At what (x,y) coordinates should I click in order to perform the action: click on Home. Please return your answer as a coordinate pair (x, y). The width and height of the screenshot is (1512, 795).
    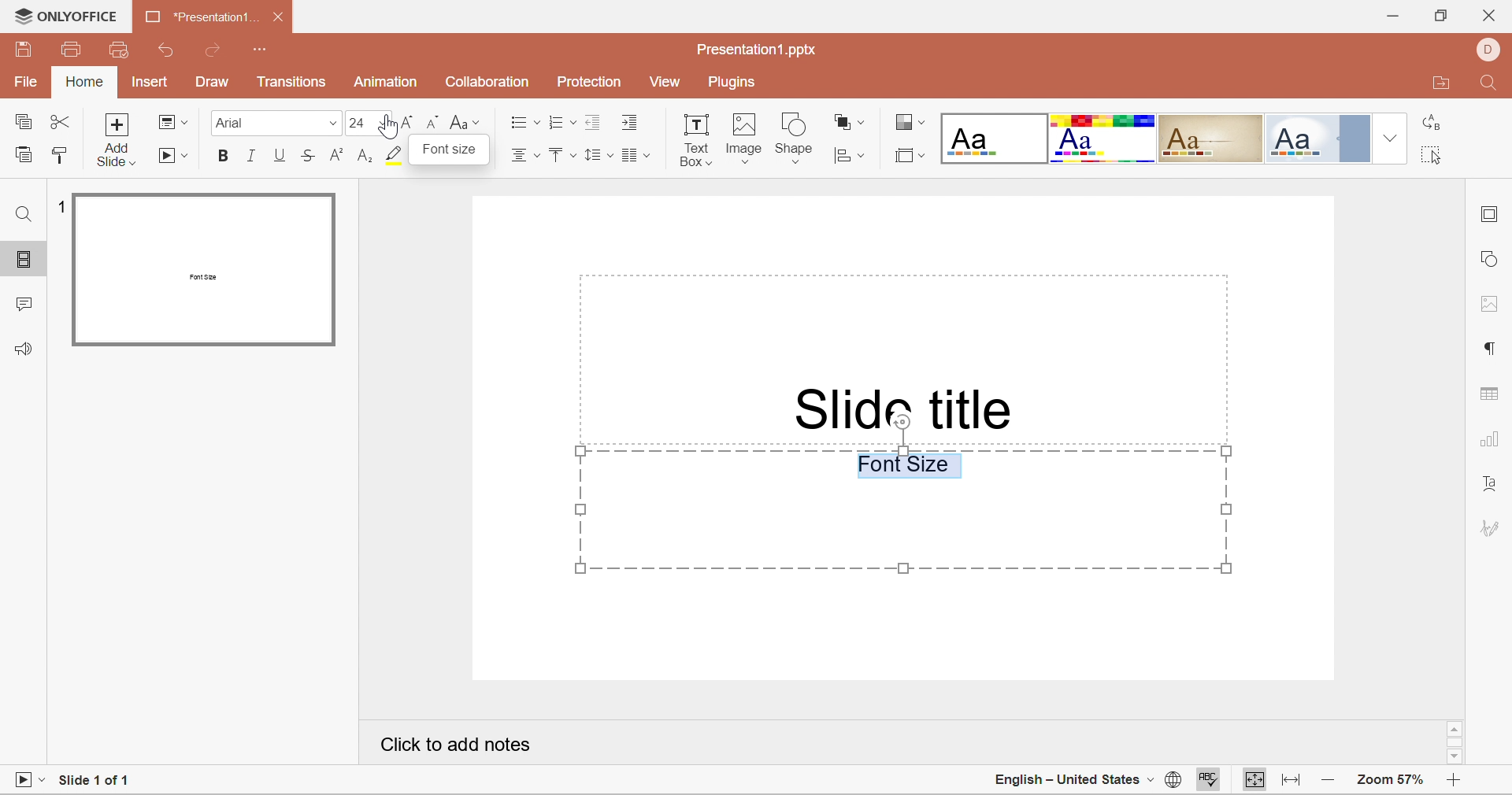
    Looking at the image, I should click on (83, 83).